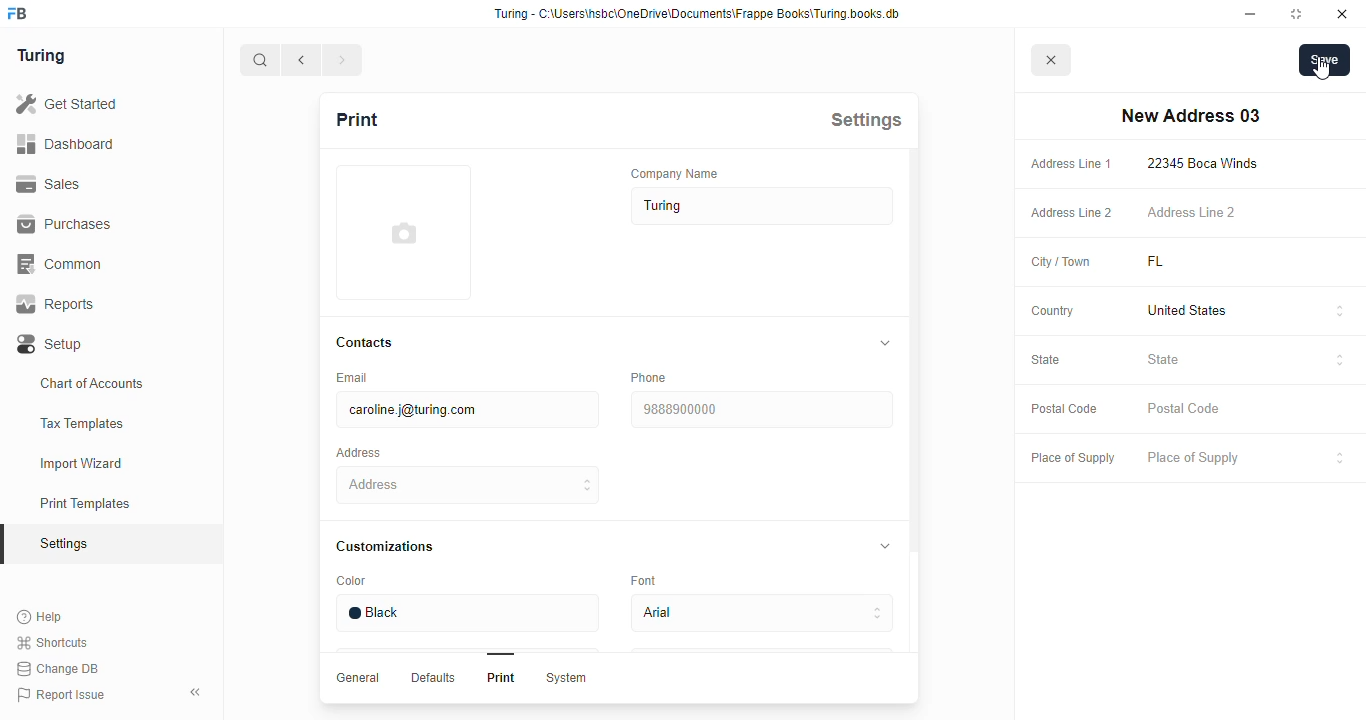 The height and width of the screenshot is (720, 1366). I want to click on customizations, so click(384, 546).